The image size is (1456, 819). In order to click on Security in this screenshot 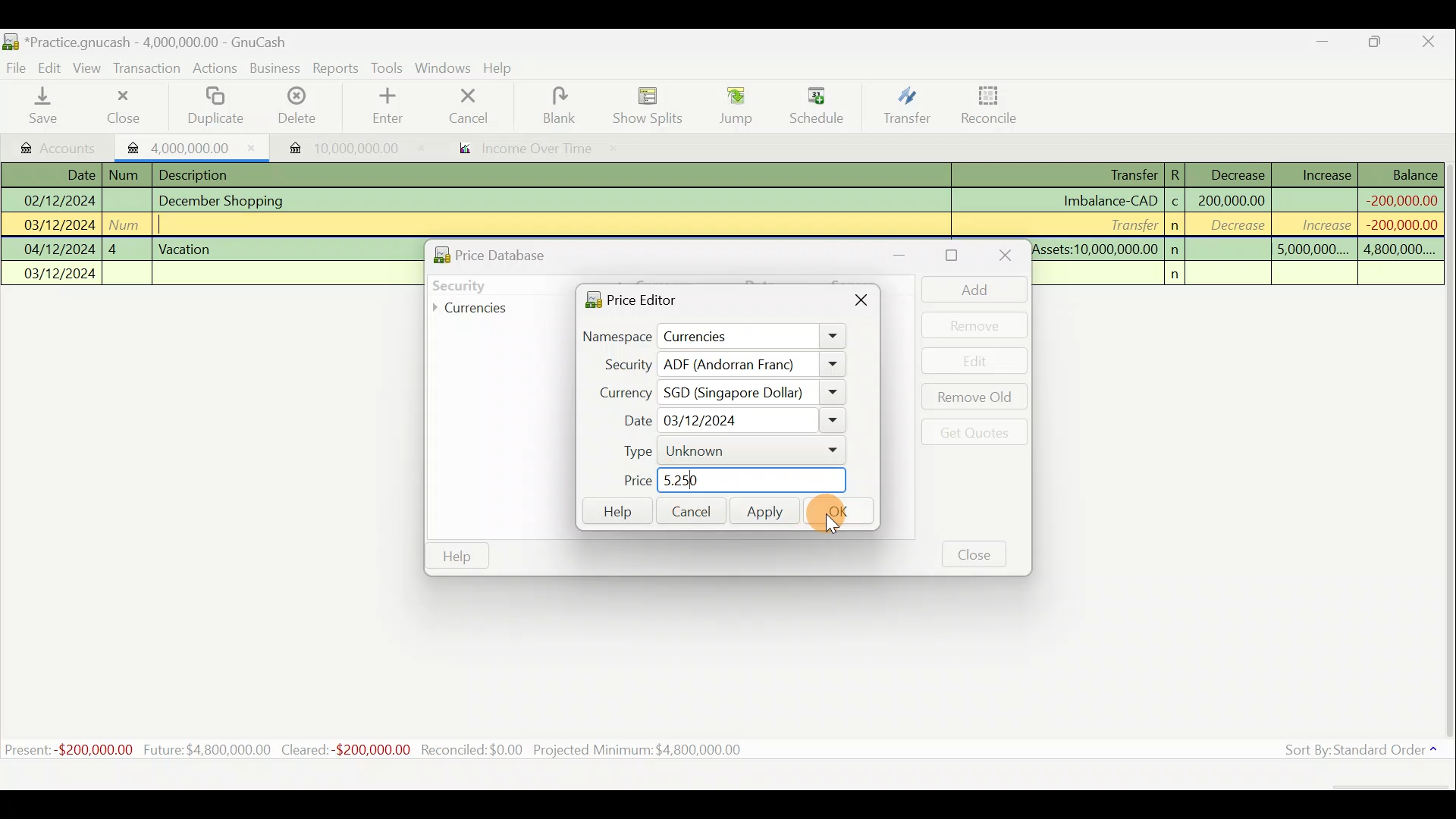, I will do `click(490, 284)`.